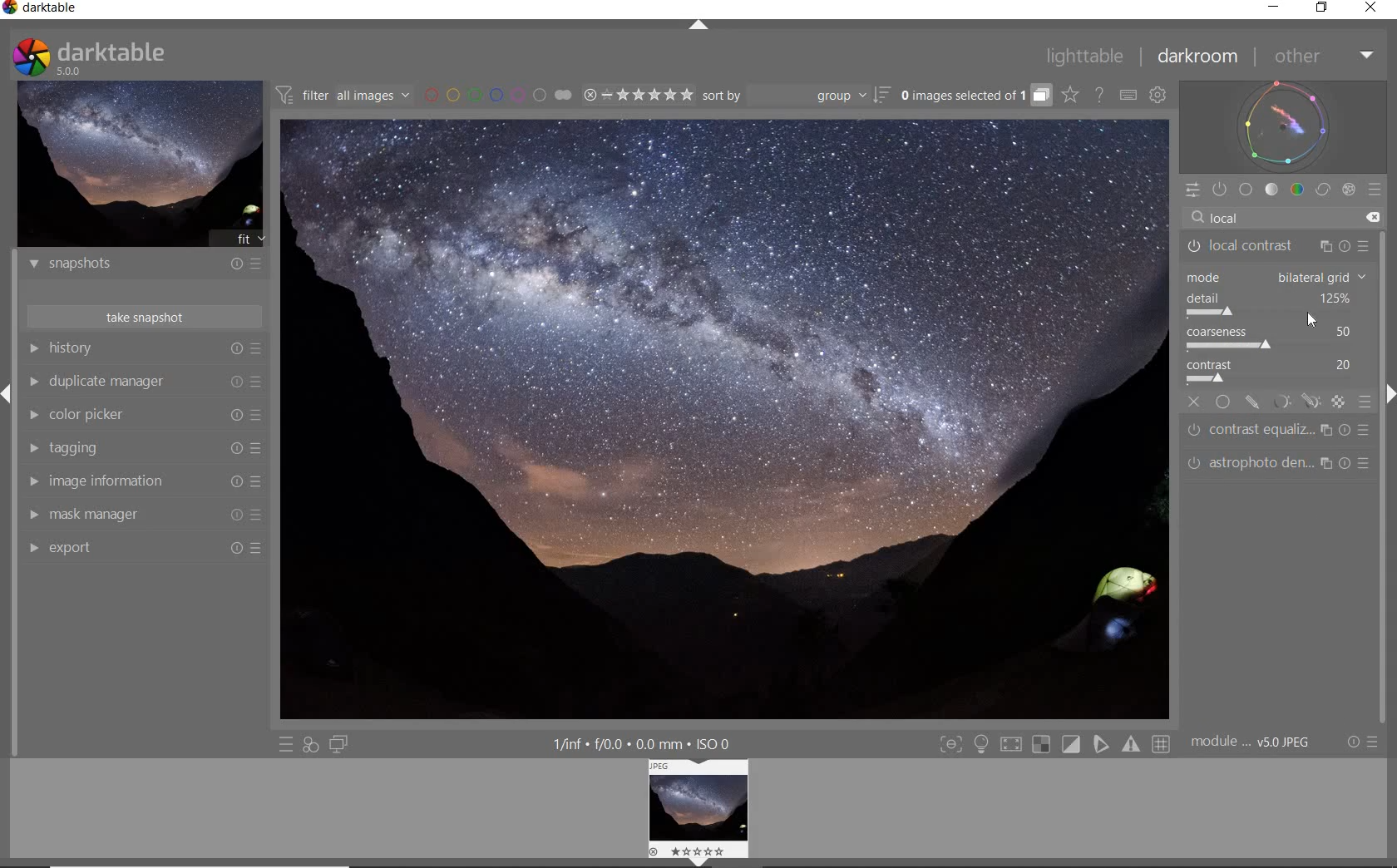 The image size is (1397, 868). Describe the element at coordinates (784, 99) in the screenshot. I see `Sort by dropdown: group` at that location.